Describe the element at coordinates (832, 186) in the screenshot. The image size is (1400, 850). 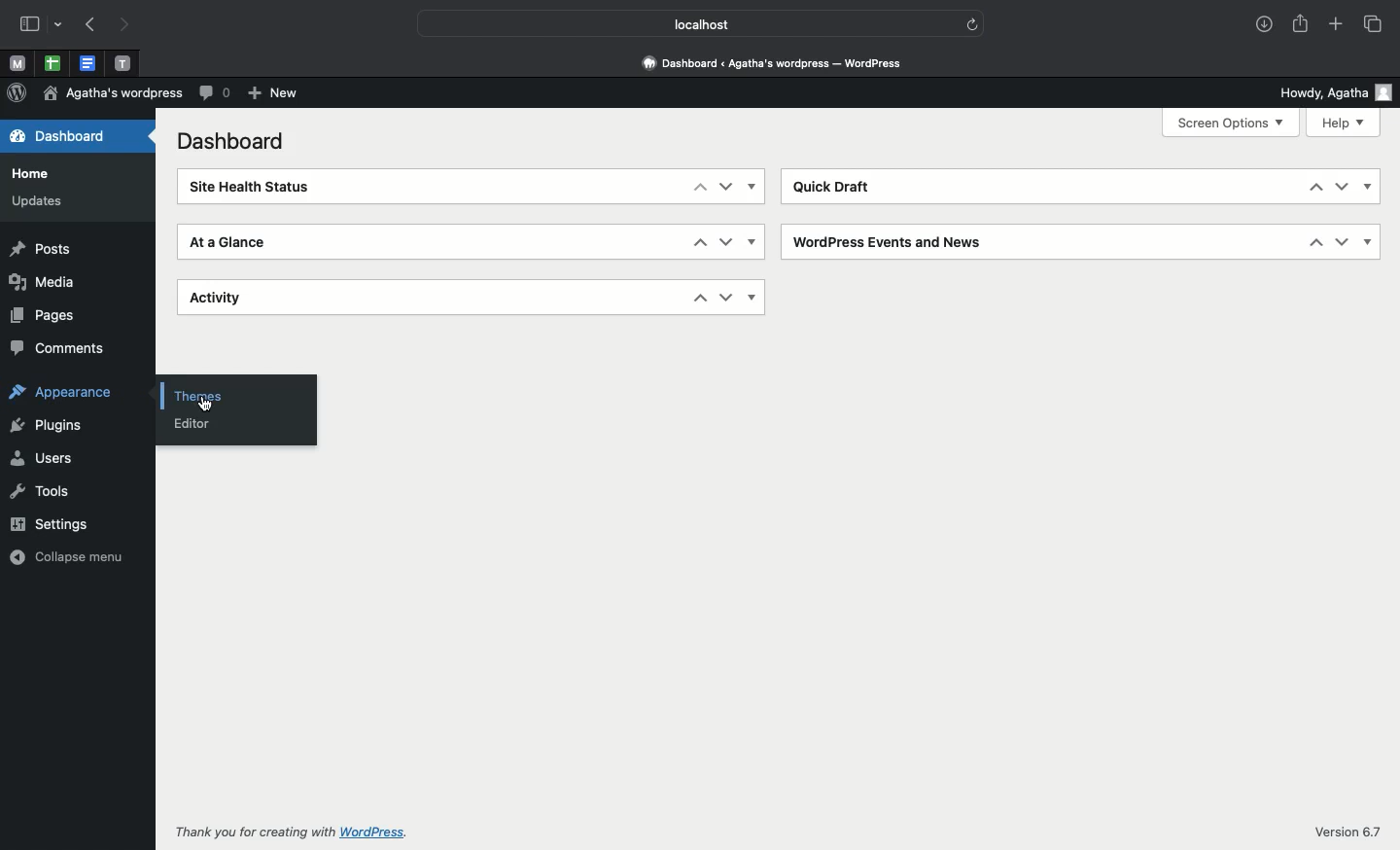
I see `Quick draft` at that location.